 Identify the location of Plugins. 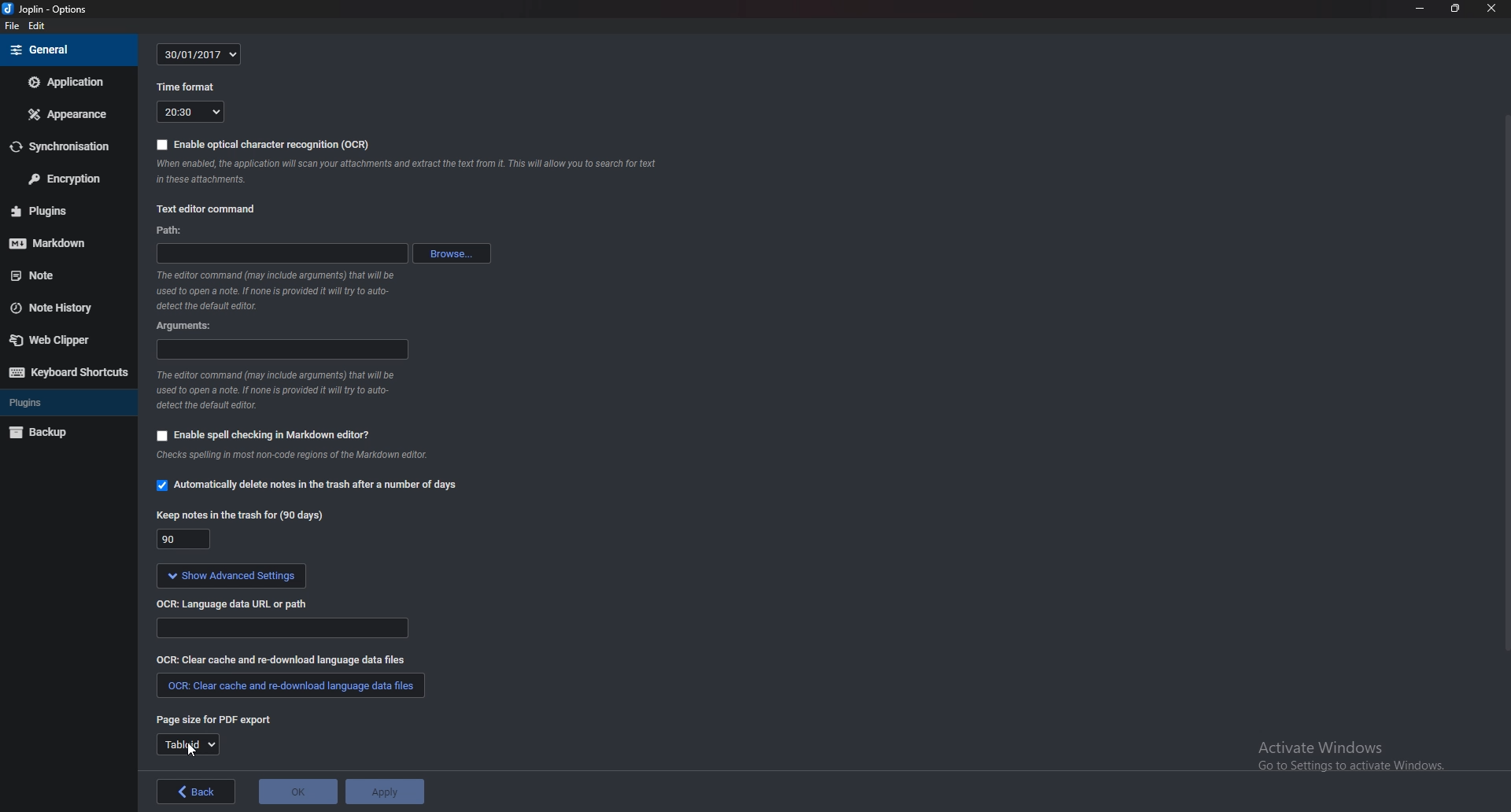
(48, 212).